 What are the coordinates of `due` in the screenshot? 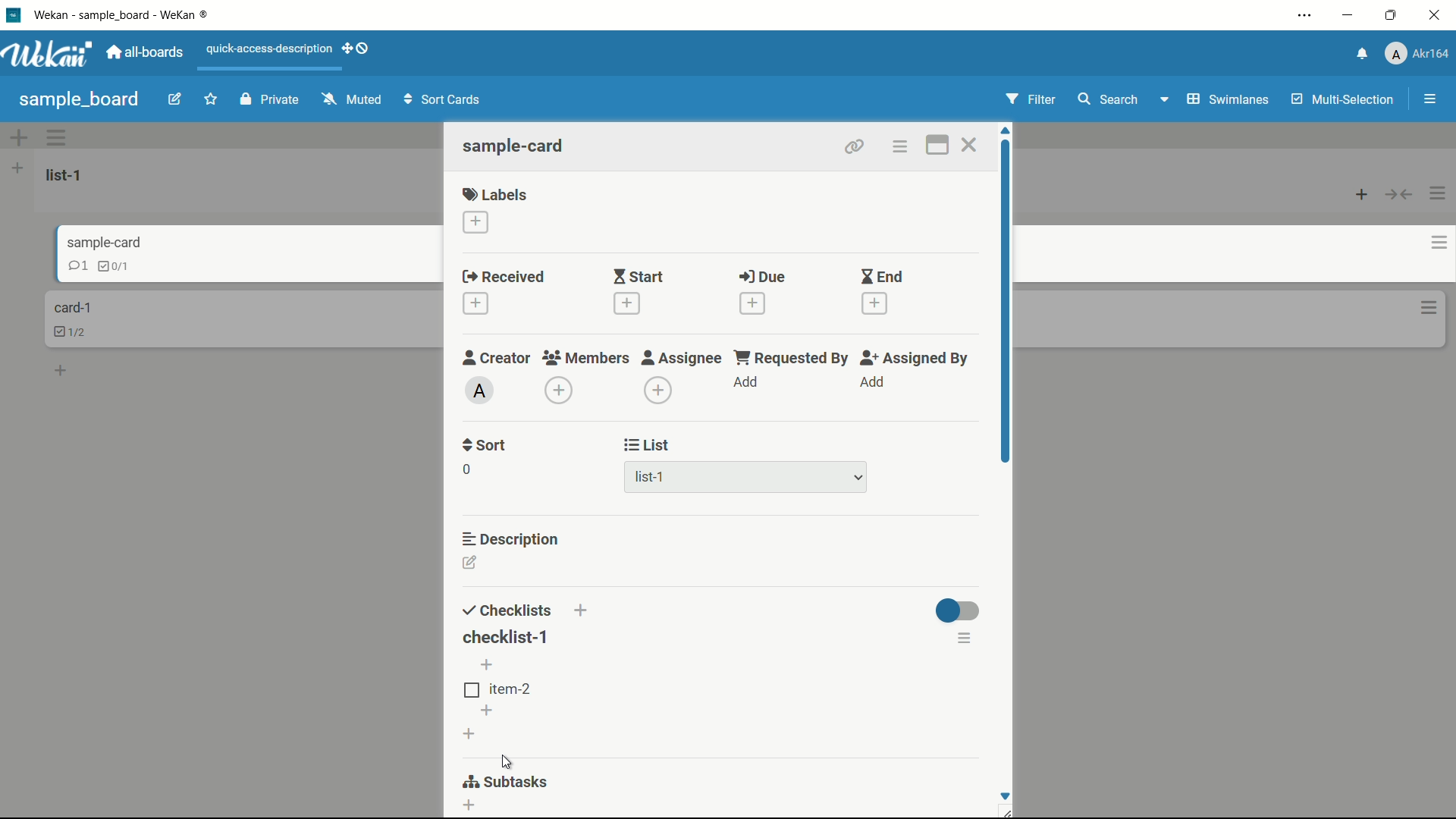 It's located at (763, 277).